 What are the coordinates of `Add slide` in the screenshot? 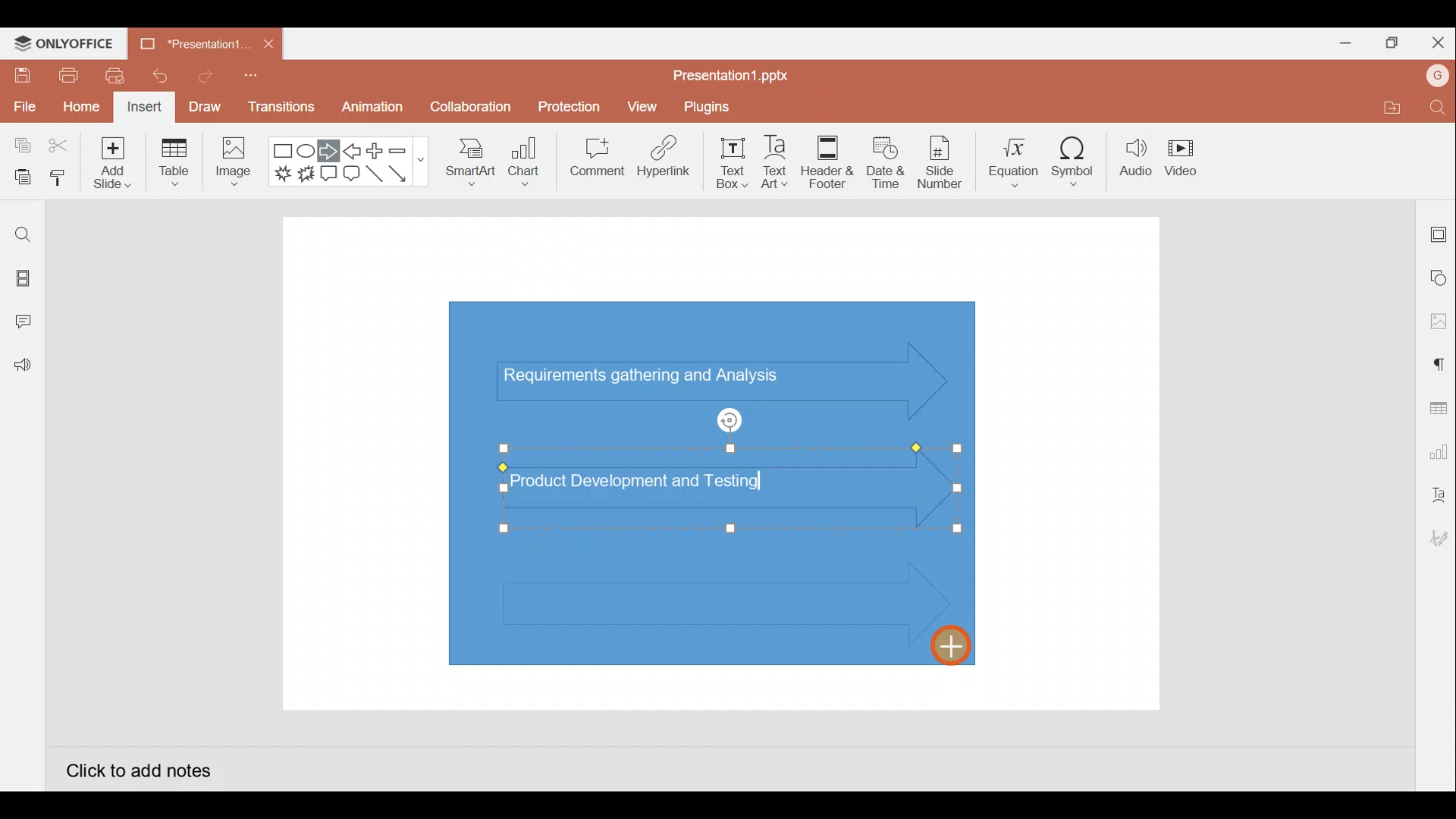 It's located at (110, 159).